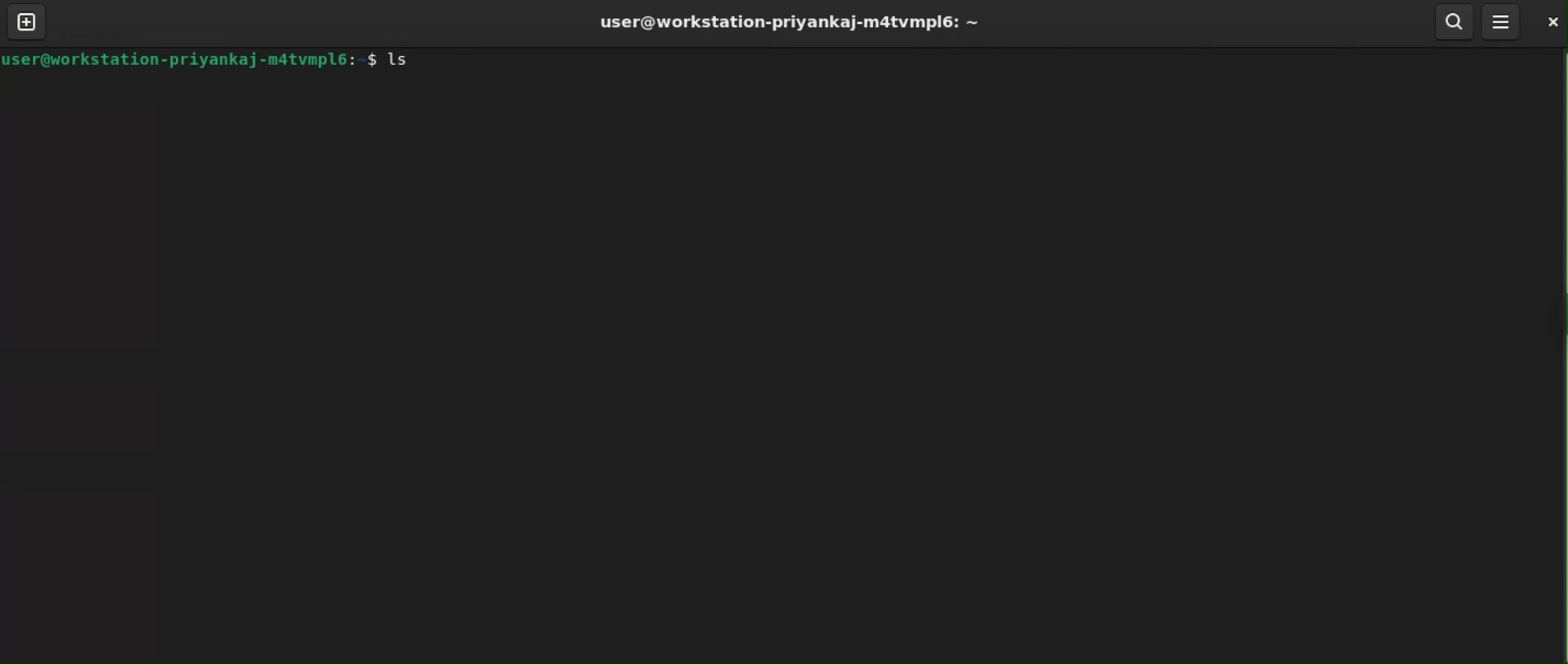 This screenshot has height=664, width=1568. What do you see at coordinates (796, 24) in the screenshot?
I see `user@workstation-priyankaj-m4tvmpl6: ~` at bounding box center [796, 24].